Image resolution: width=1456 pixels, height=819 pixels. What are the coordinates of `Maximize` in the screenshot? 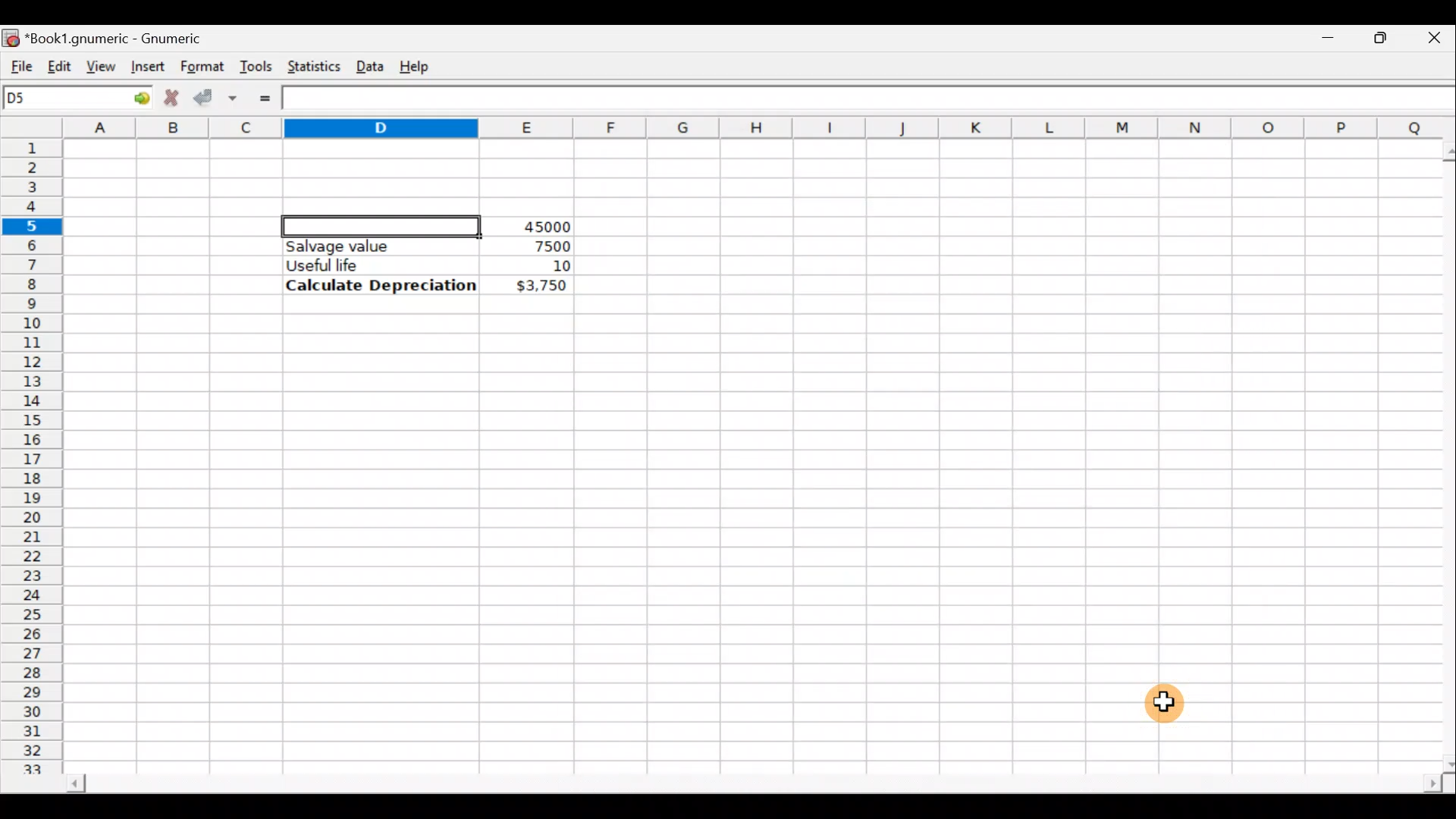 It's located at (1384, 35).